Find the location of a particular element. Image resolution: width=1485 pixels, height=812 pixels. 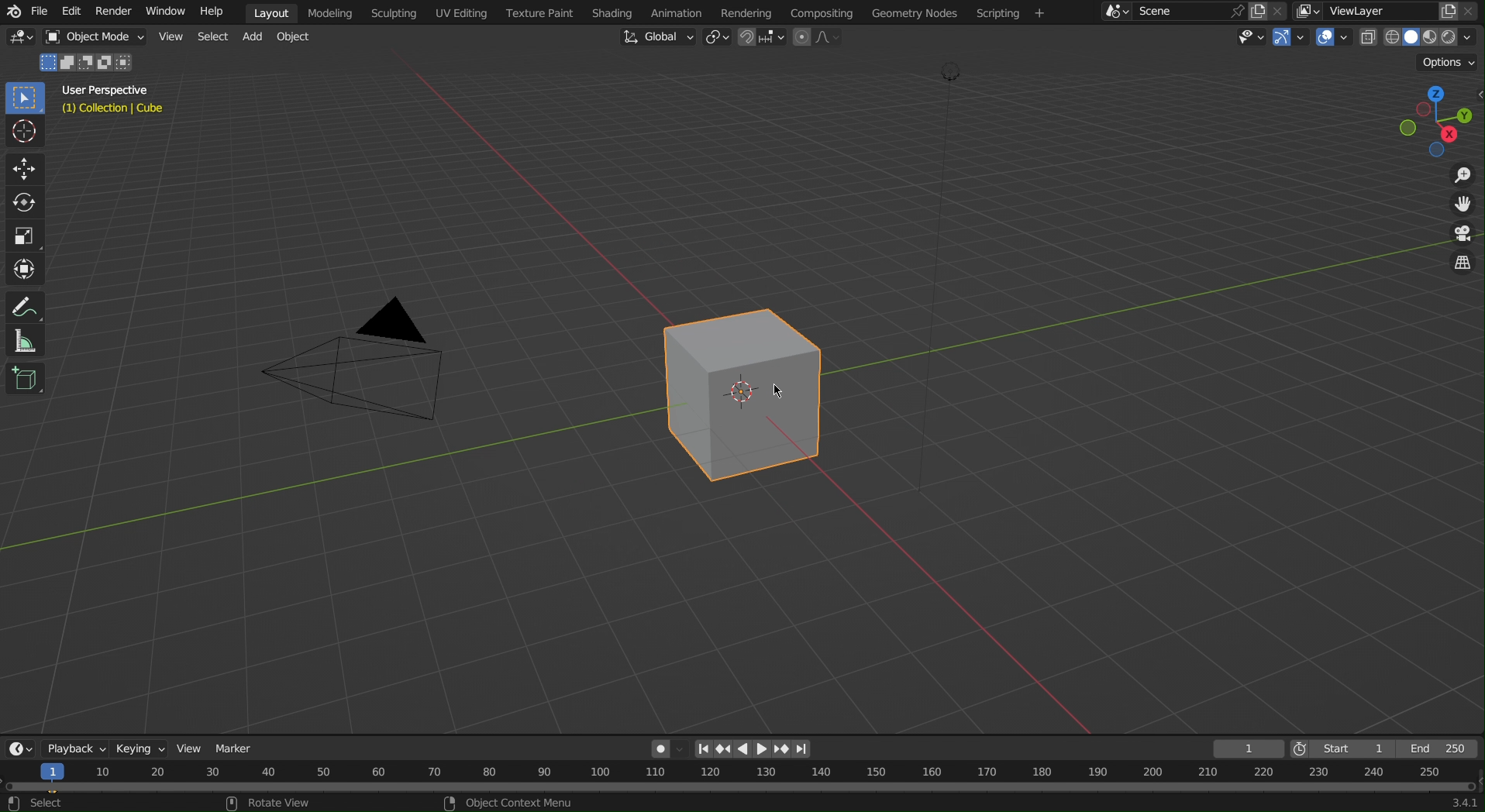

Select Box is located at coordinates (25, 98).